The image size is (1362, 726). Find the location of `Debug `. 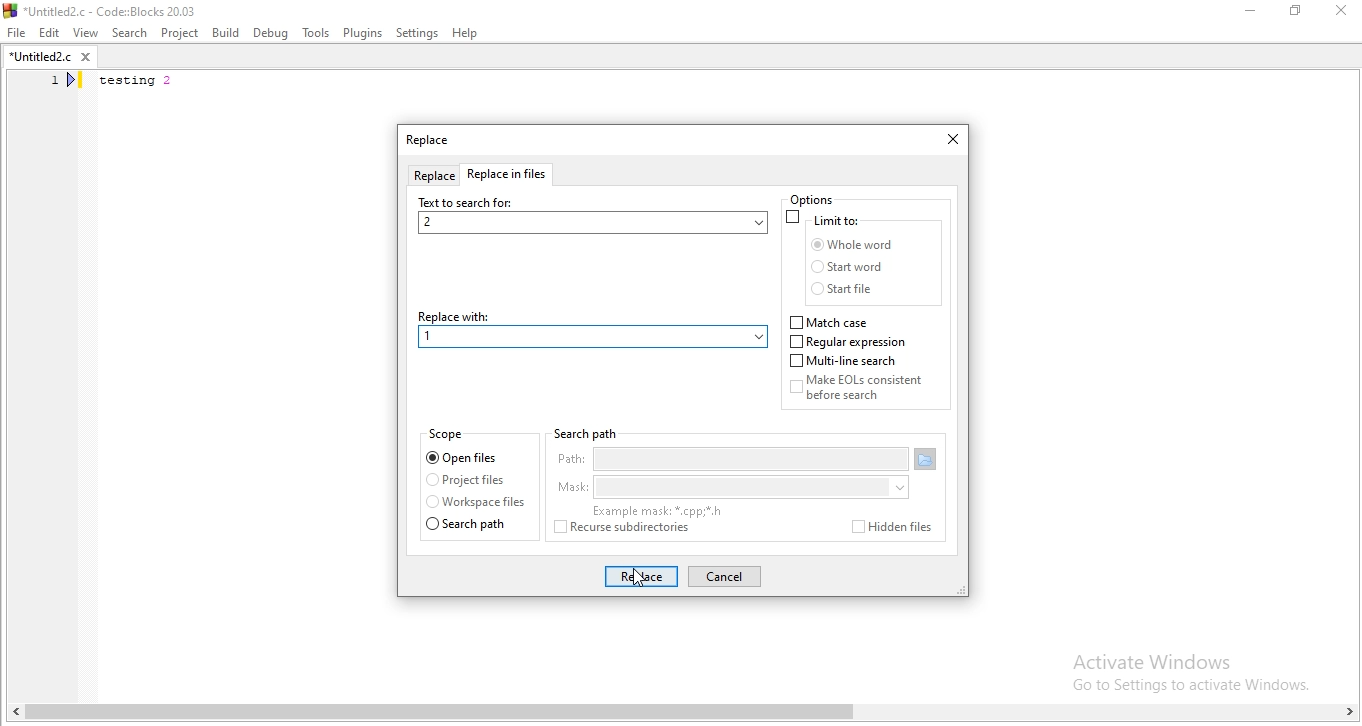

Debug  is located at coordinates (271, 31).